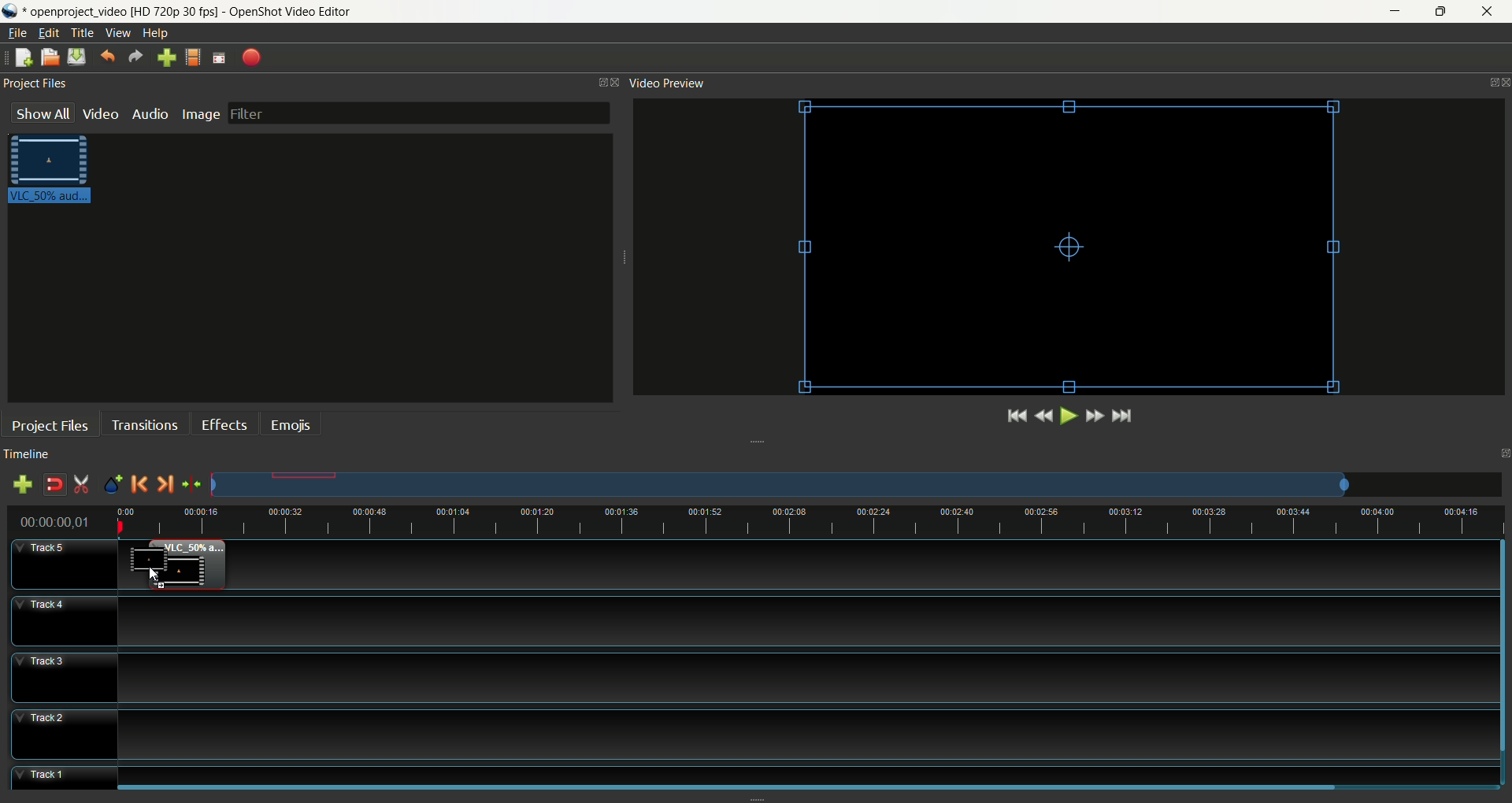 This screenshot has width=1512, height=803. I want to click on Timeline, so click(810, 523).